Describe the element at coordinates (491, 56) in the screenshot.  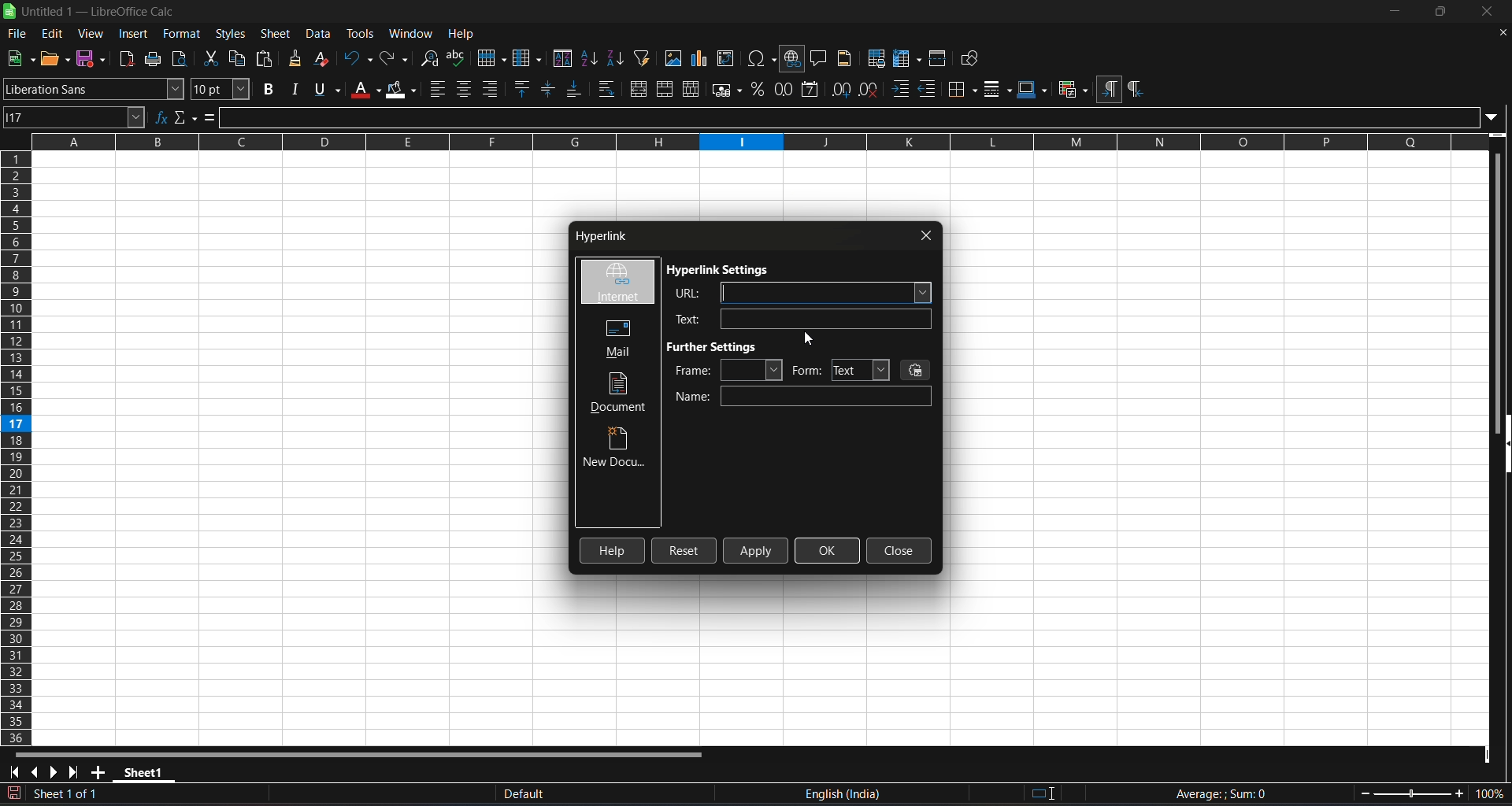
I see `row` at that location.